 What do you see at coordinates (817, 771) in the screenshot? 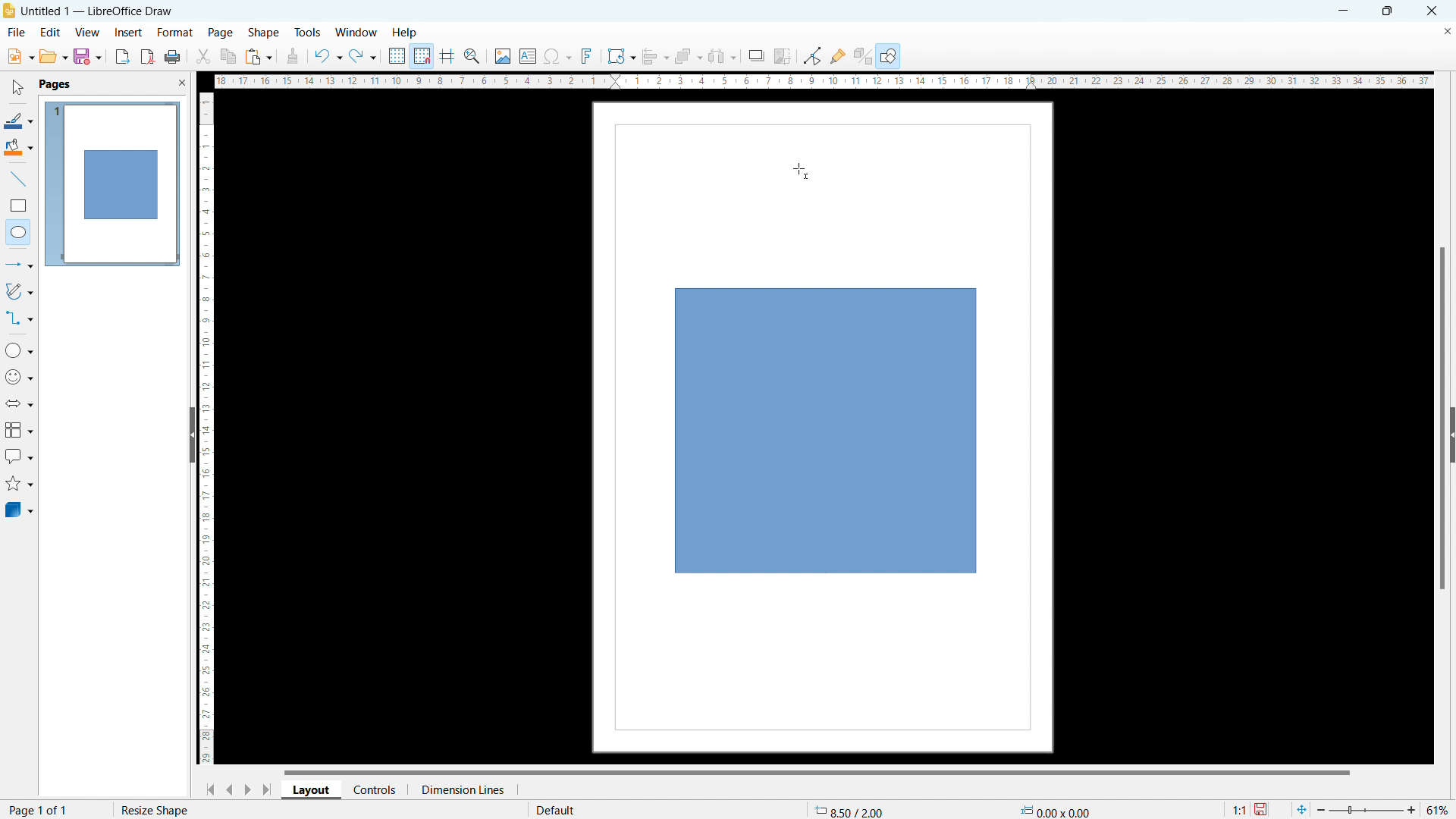
I see `horizontal scrollbar` at bounding box center [817, 771].